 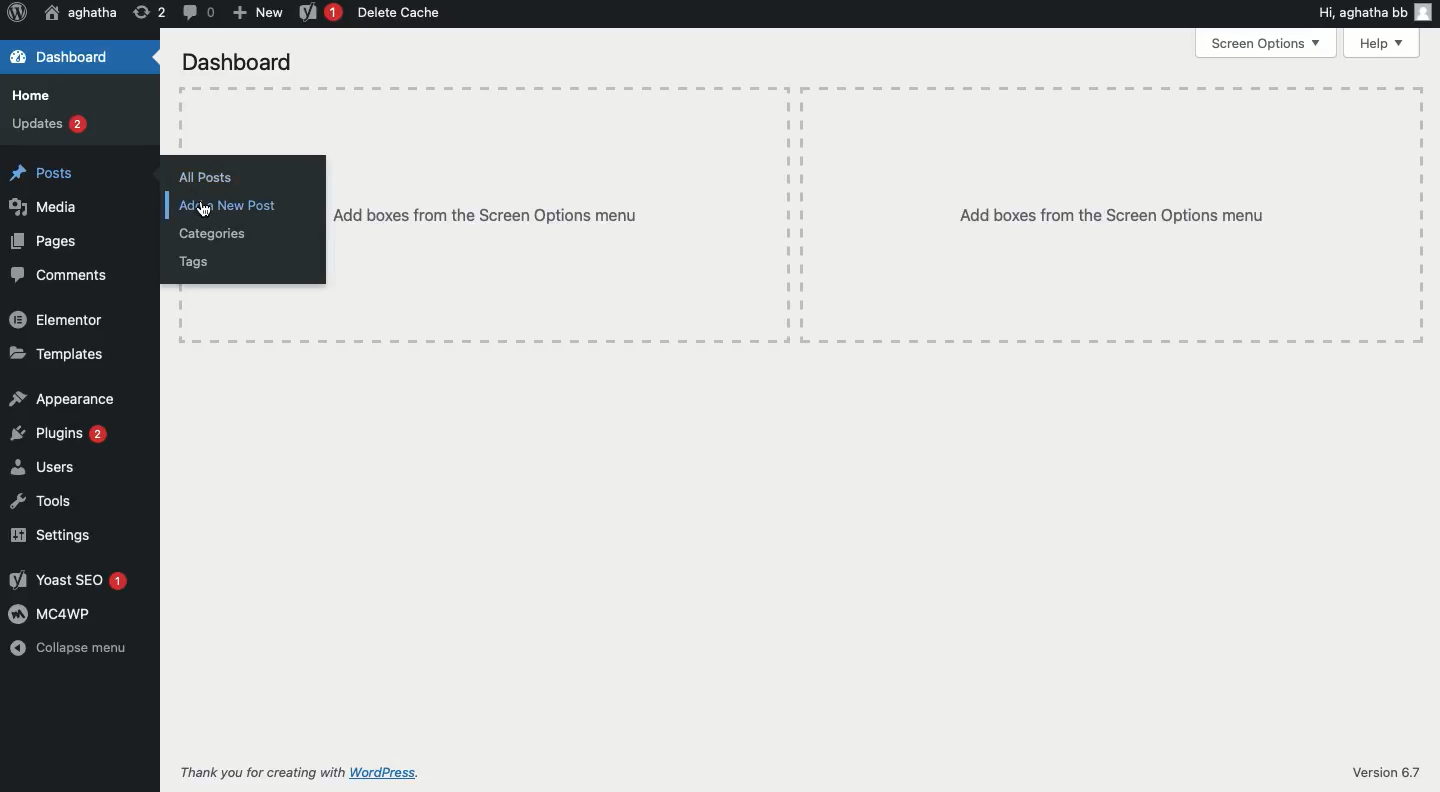 I want to click on Table line, so click(x=181, y=125).